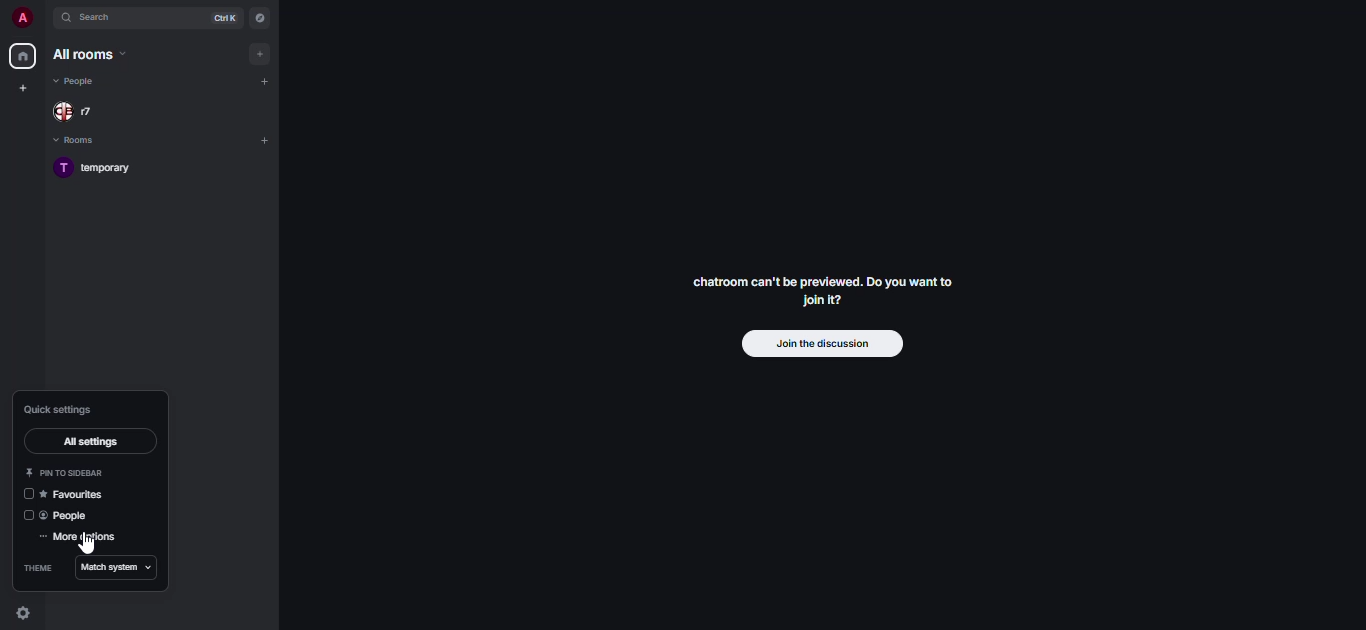 The image size is (1366, 630). Describe the element at coordinates (21, 55) in the screenshot. I see `home` at that location.